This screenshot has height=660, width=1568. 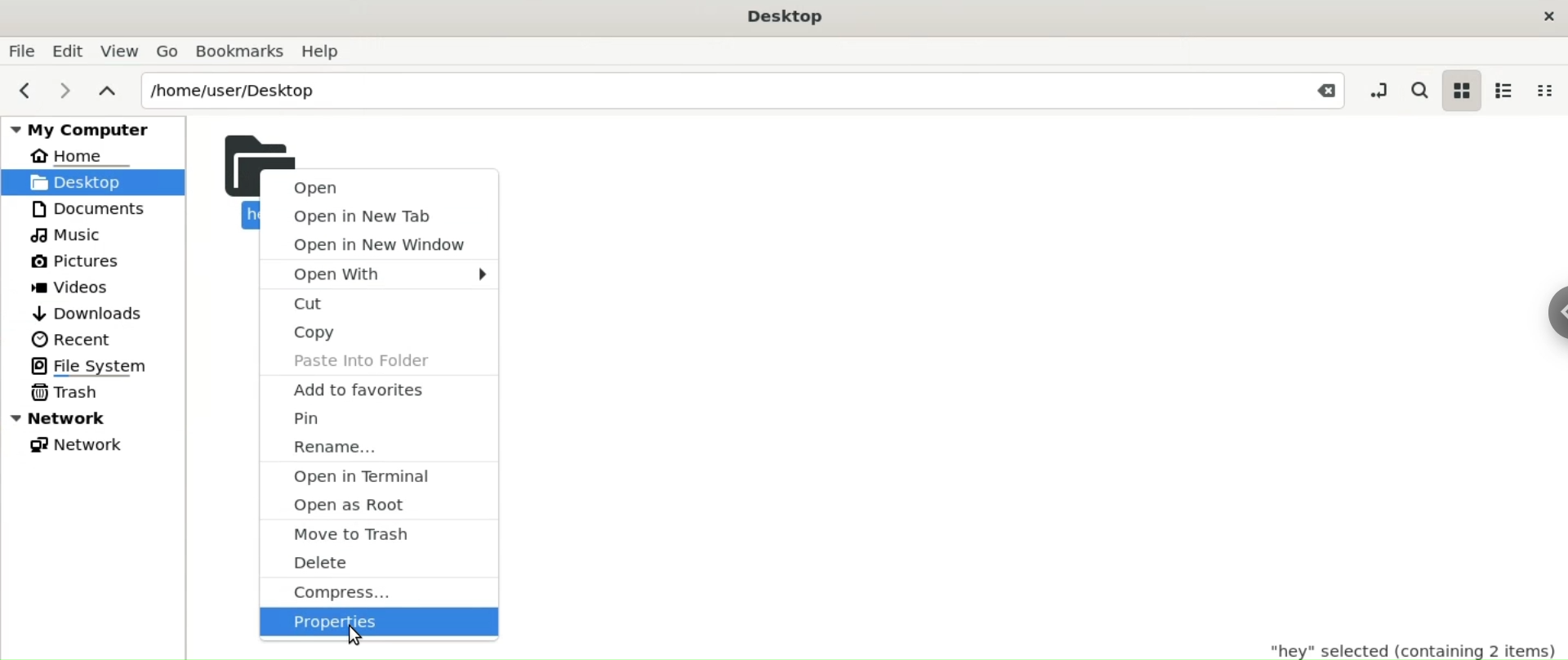 What do you see at coordinates (72, 288) in the screenshot?
I see `Videos` at bounding box center [72, 288].